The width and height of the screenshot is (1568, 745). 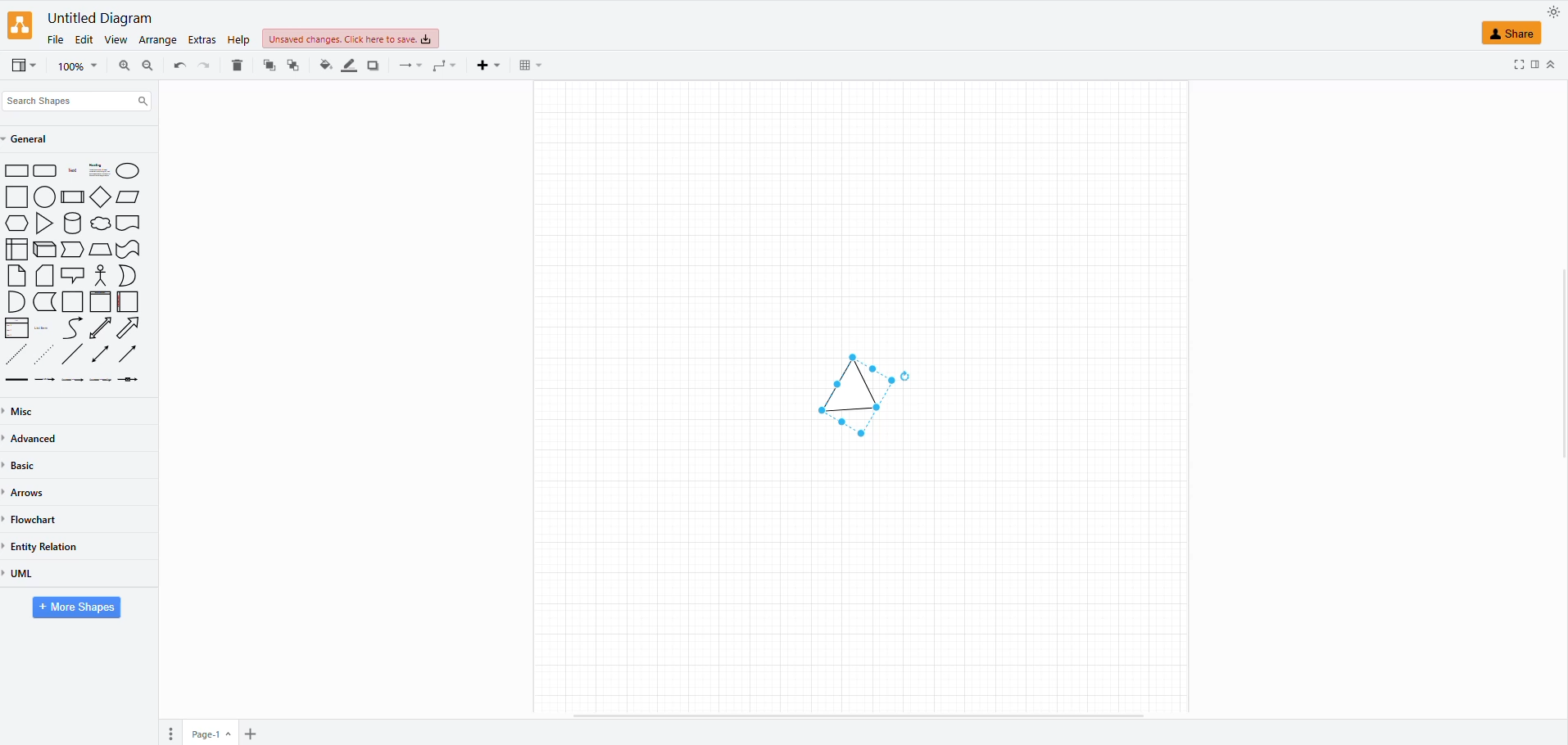 I want to click on Chat Icon, so click(x=73, y=275).